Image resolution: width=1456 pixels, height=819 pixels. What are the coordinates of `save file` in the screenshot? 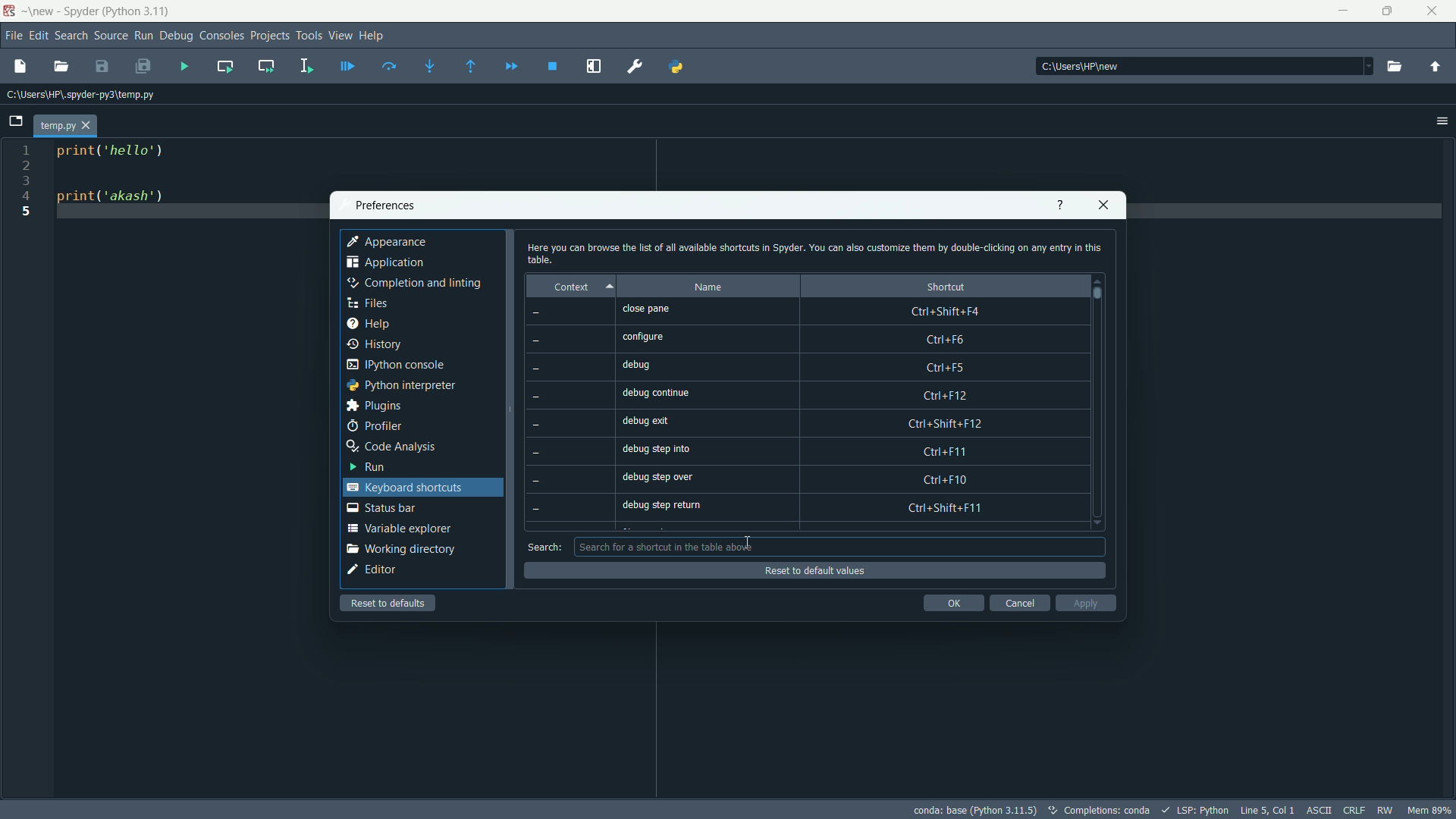 It's located at (102, 67).